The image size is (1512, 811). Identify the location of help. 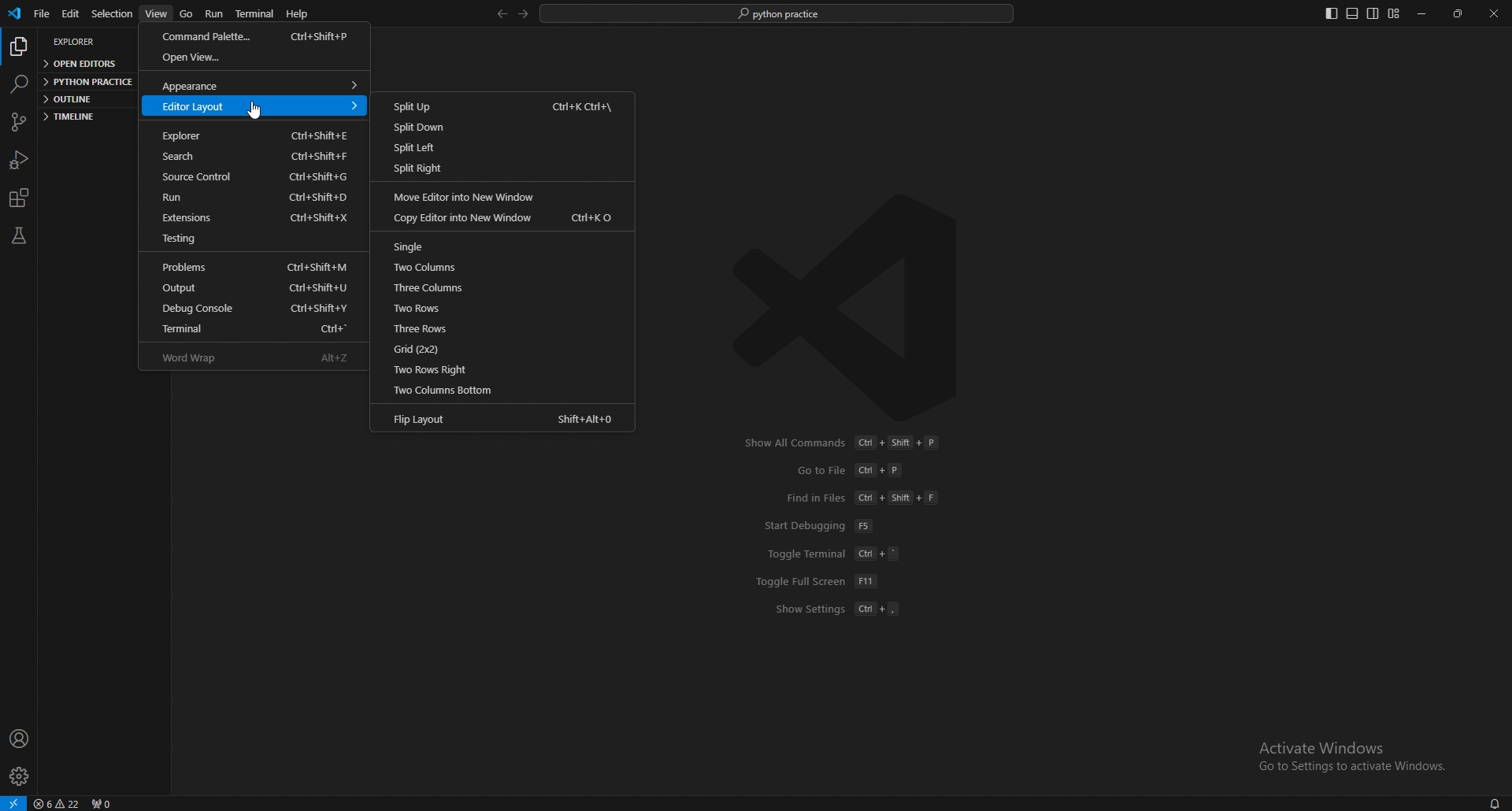
(296, 13).